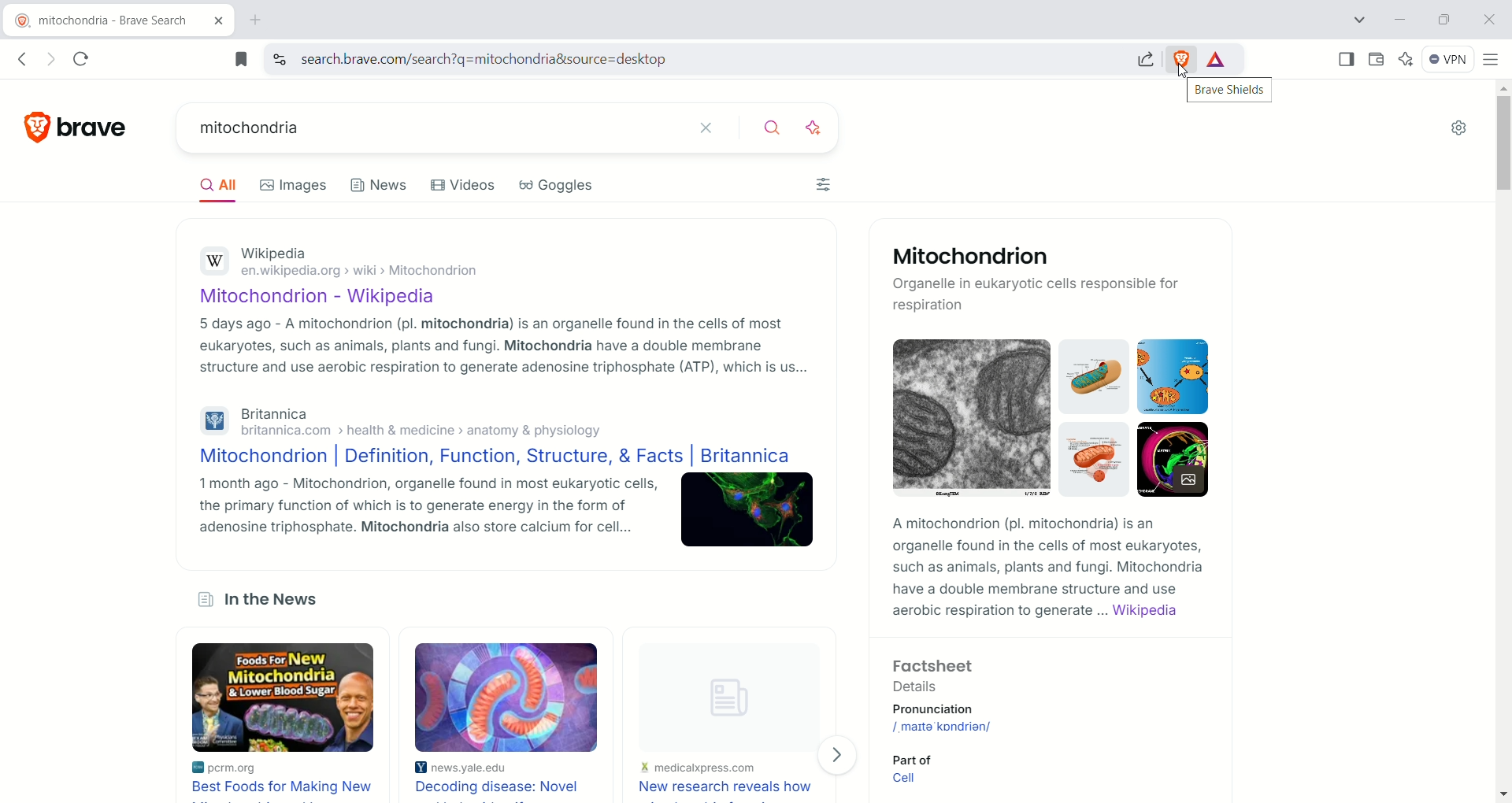 This screenshot has height=803, width=1512. I want to click on , so click(943, 727).